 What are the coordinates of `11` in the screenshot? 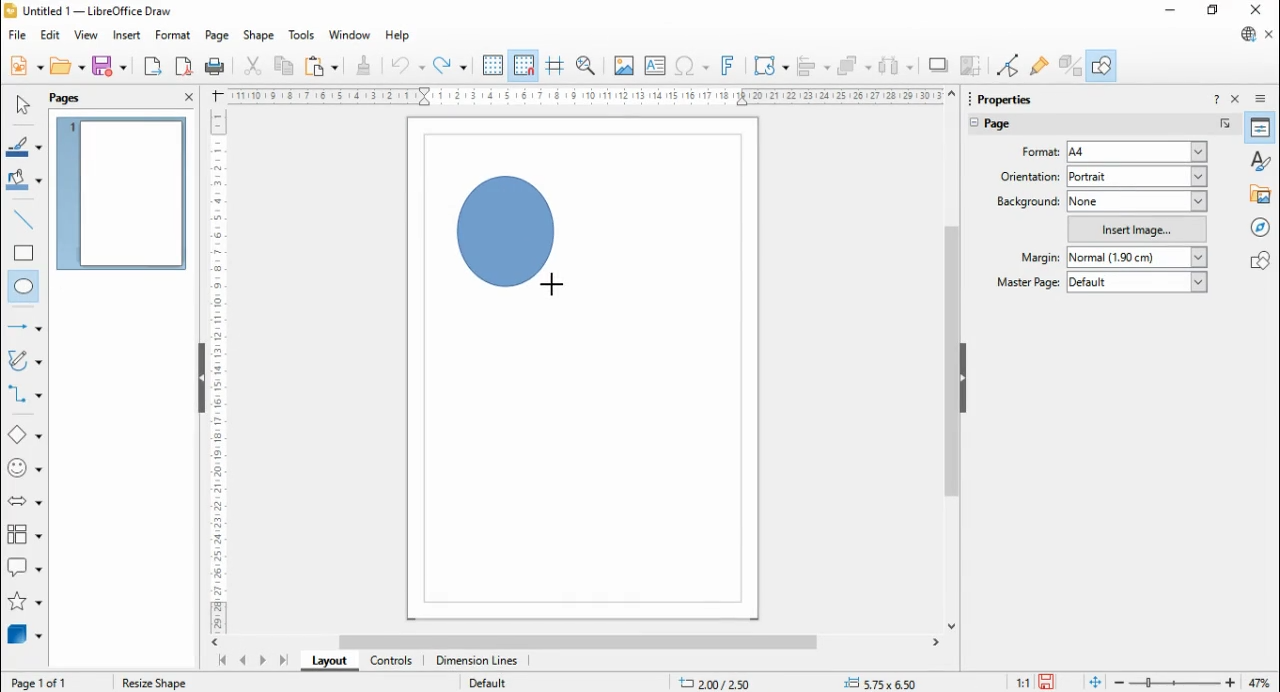 It's located at (1024, 682).